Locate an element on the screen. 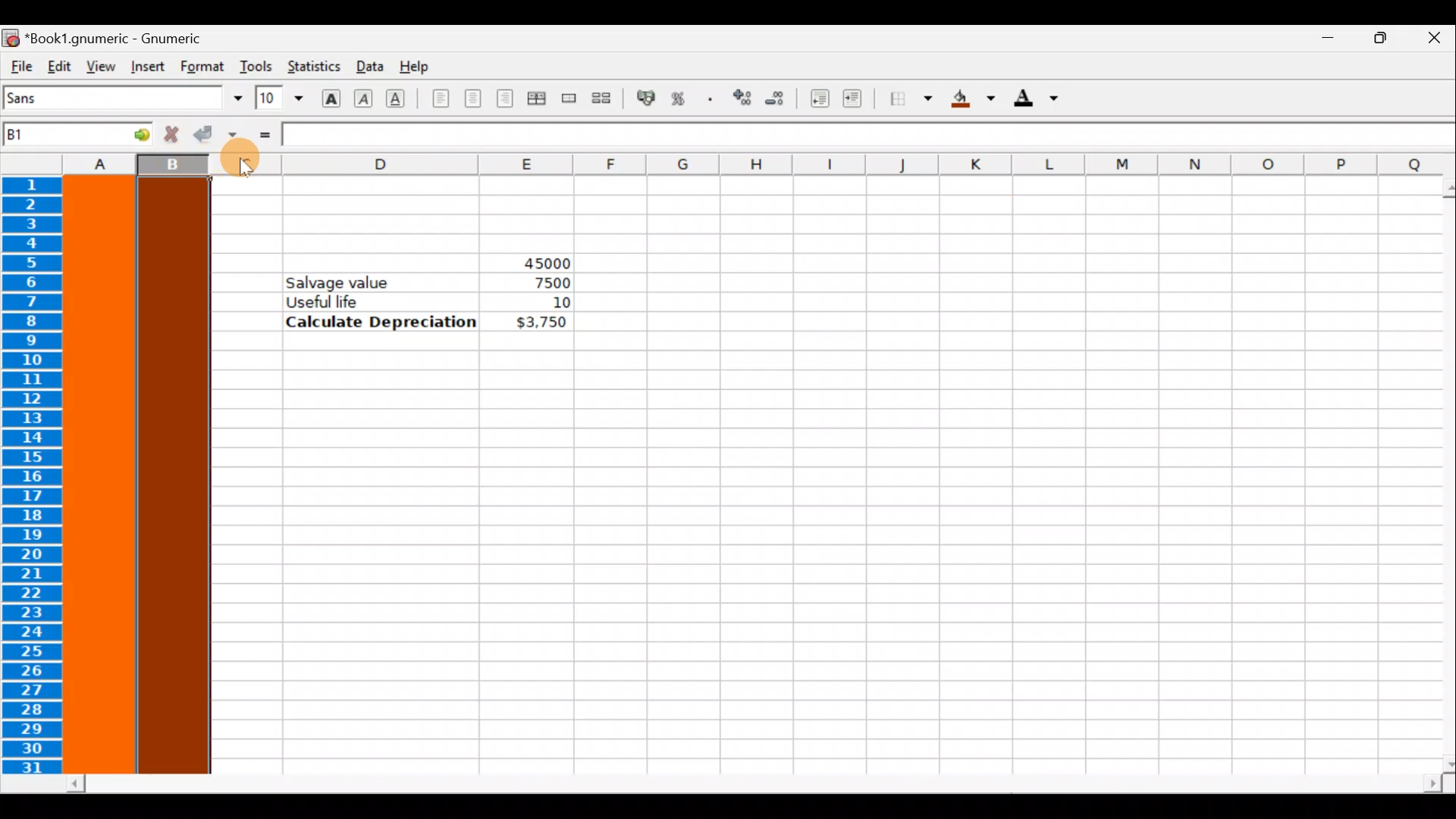 This screenshot has width=1456, height=819. Decrease indent, align contents to the left is located at coordinates (815, 99).